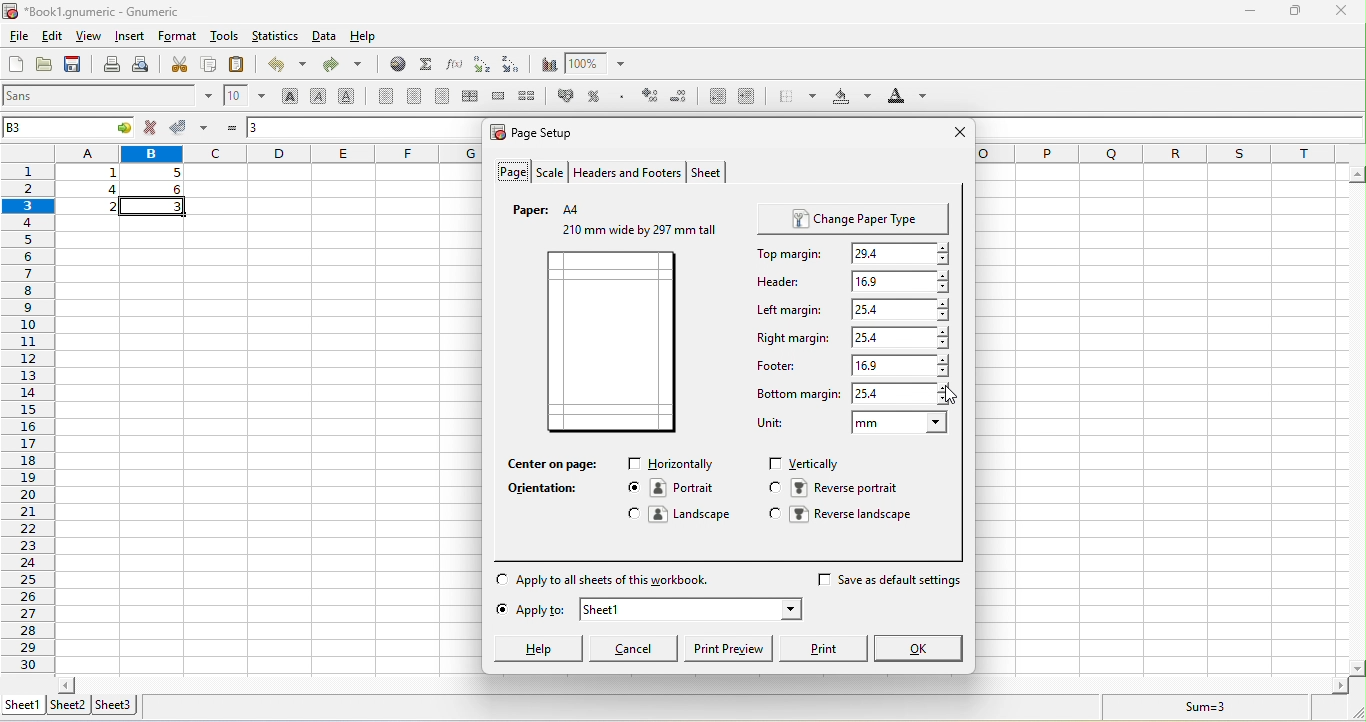 Image resolution: width=1366 pixels, height=722 pixels. What do you see at coordinates (692, 608) in the screenshot?
I see `sheet 1` at bounding box center [692, 608].